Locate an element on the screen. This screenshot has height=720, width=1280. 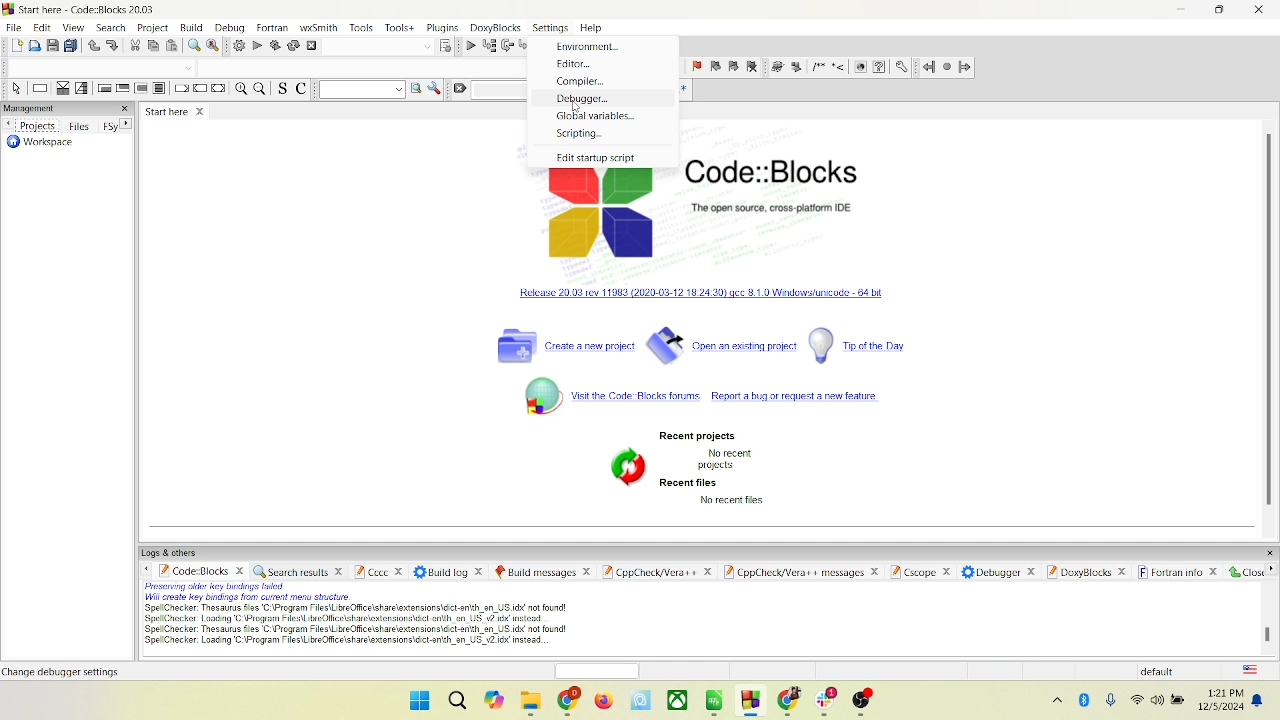
next line is located at coordinates (508, 46).